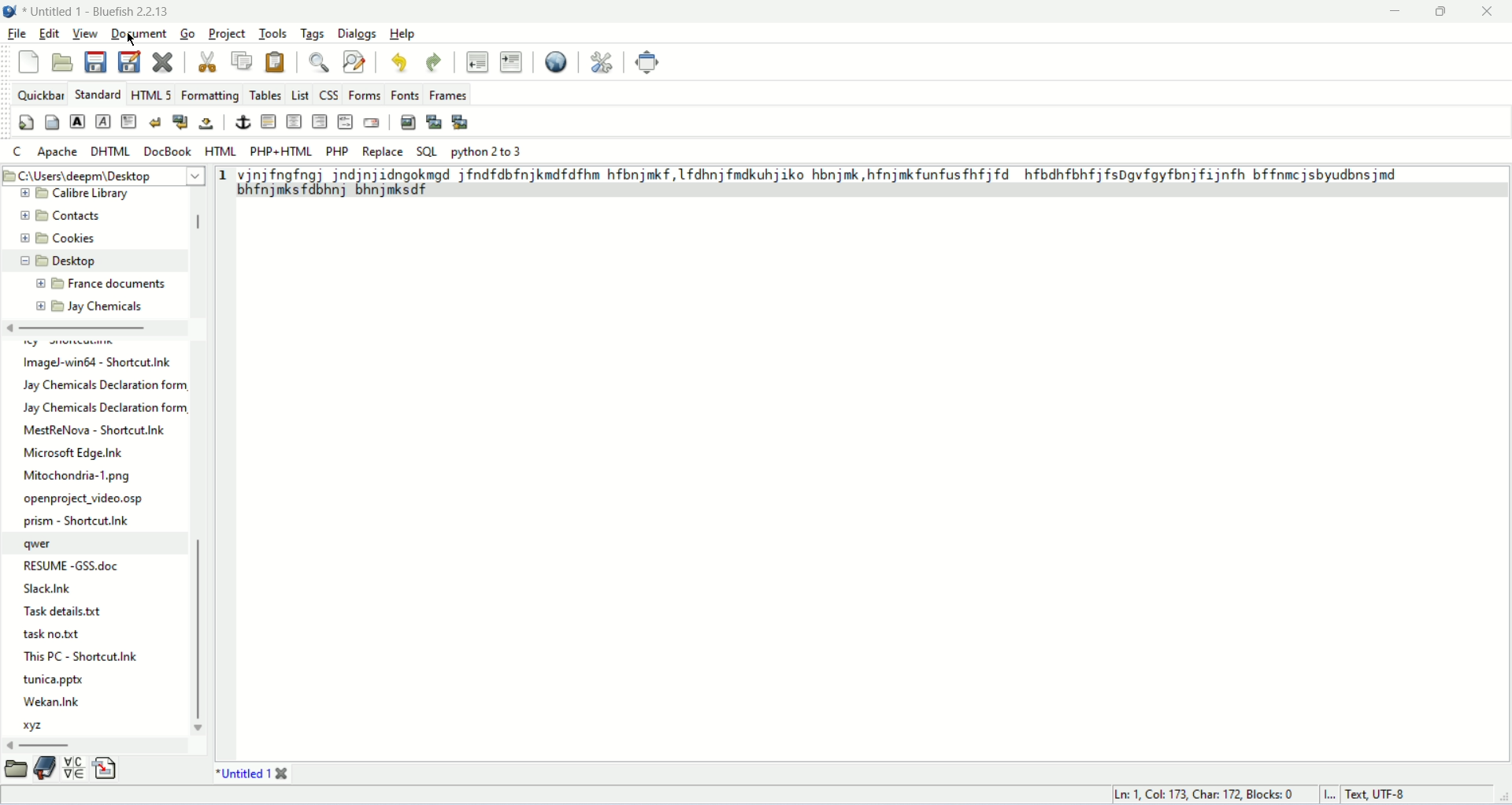  Describe the element at coordinates (95, 61) in the screenshot. I see `save` at that location.